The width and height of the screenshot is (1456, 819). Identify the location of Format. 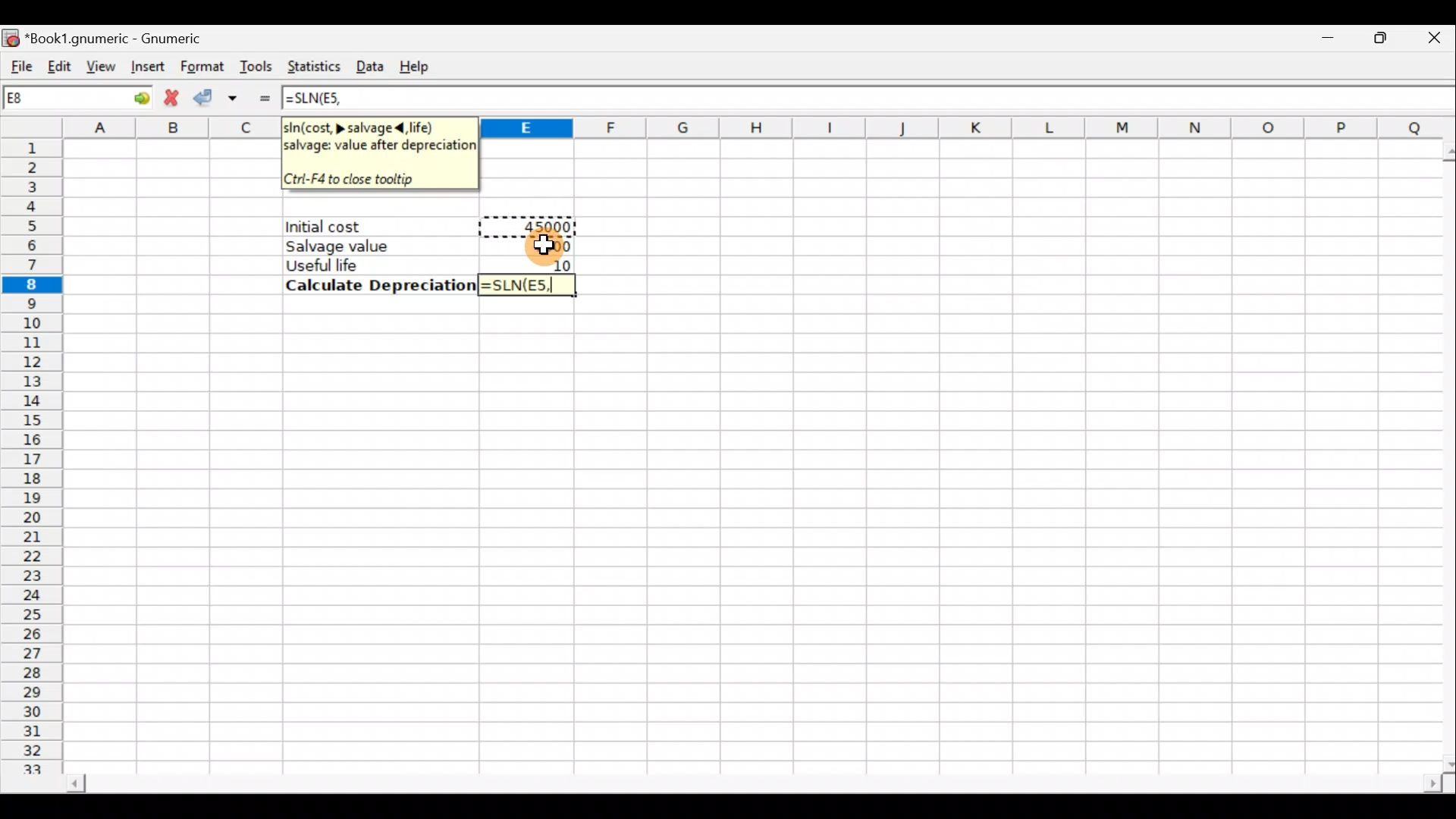
(200, 64).